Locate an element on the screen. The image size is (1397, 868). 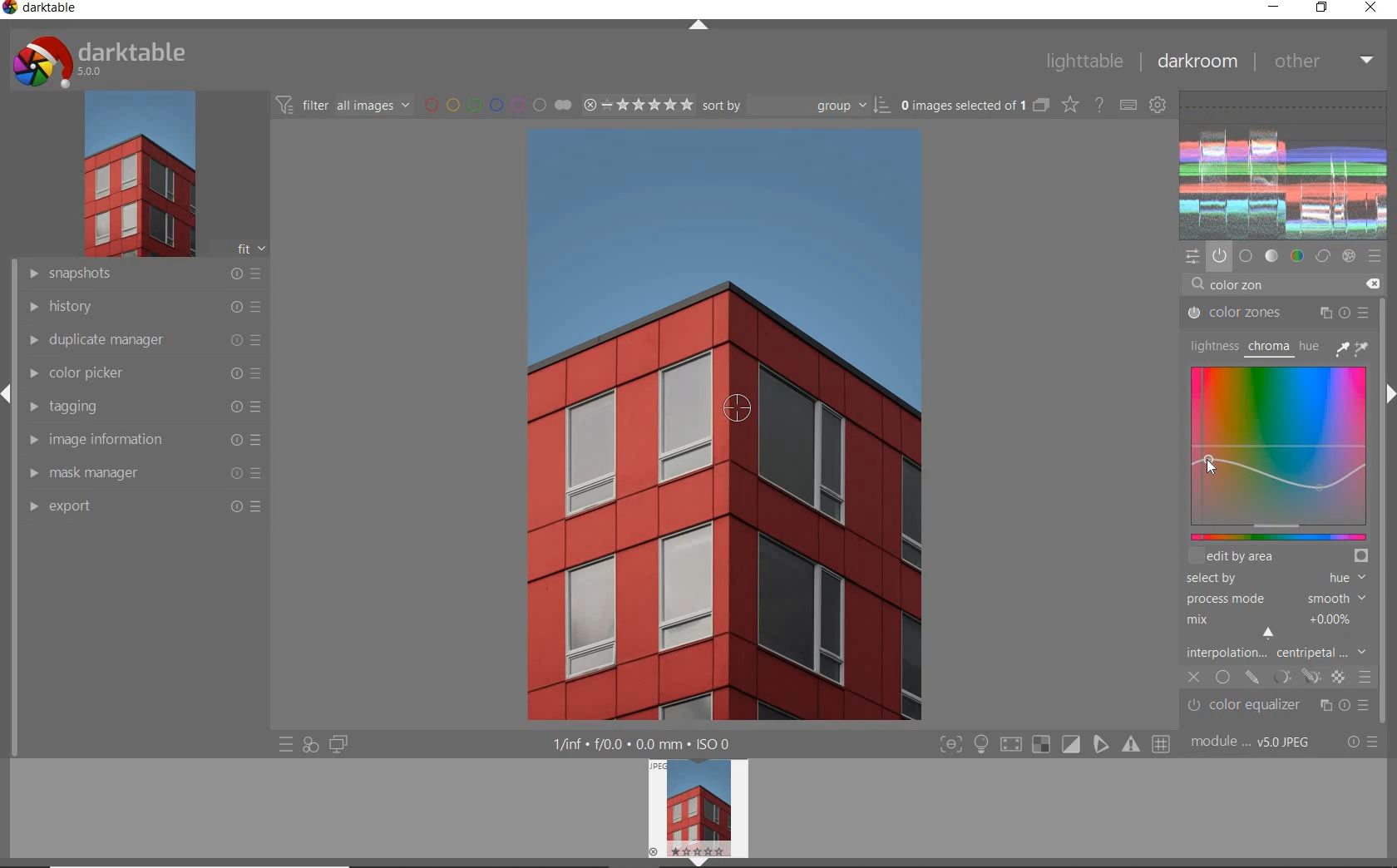
duplicate manager is located at coordinates (140, 342).